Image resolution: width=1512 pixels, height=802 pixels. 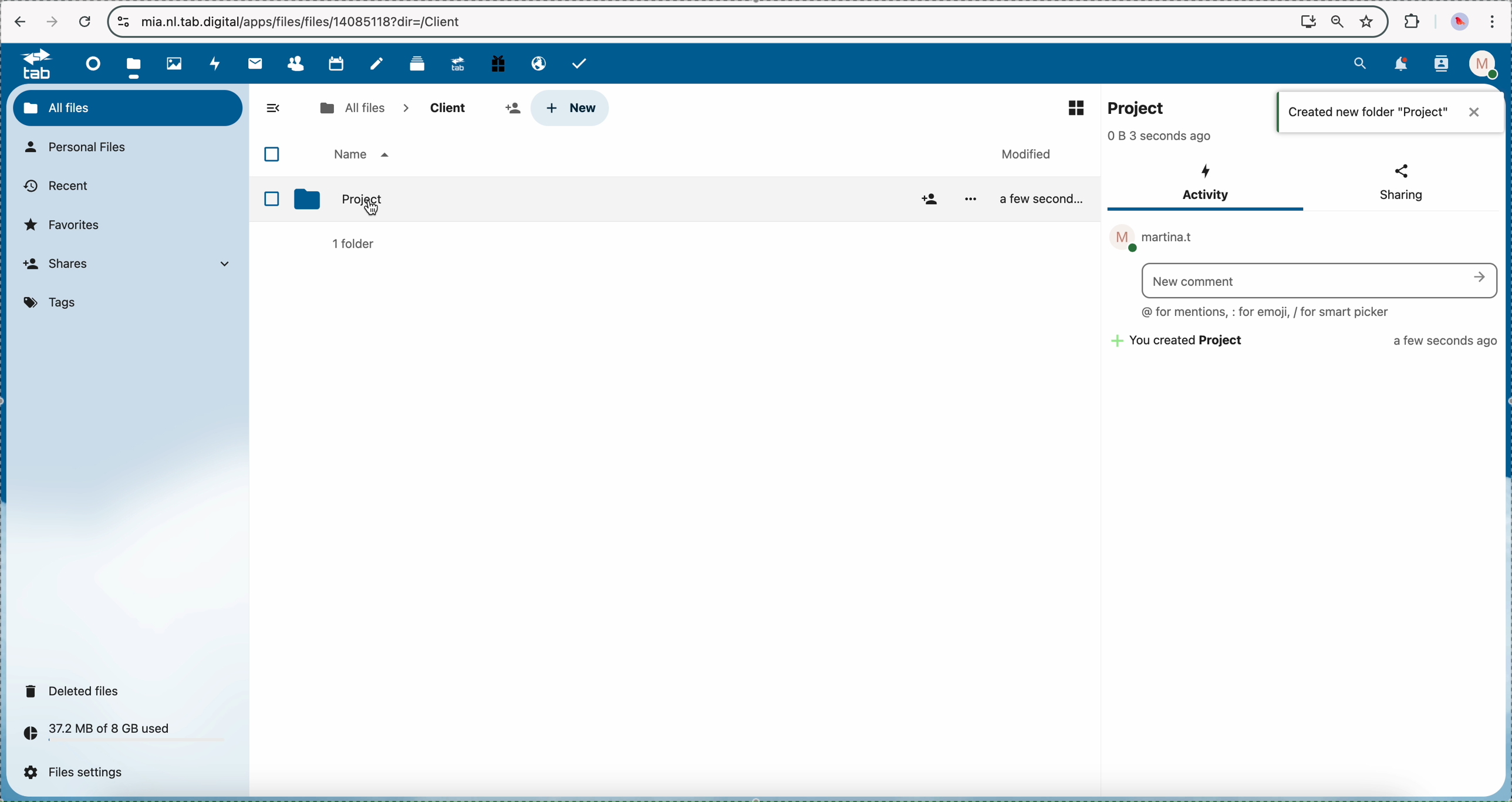 I want to click on personal files, so click(x=82, y=148).